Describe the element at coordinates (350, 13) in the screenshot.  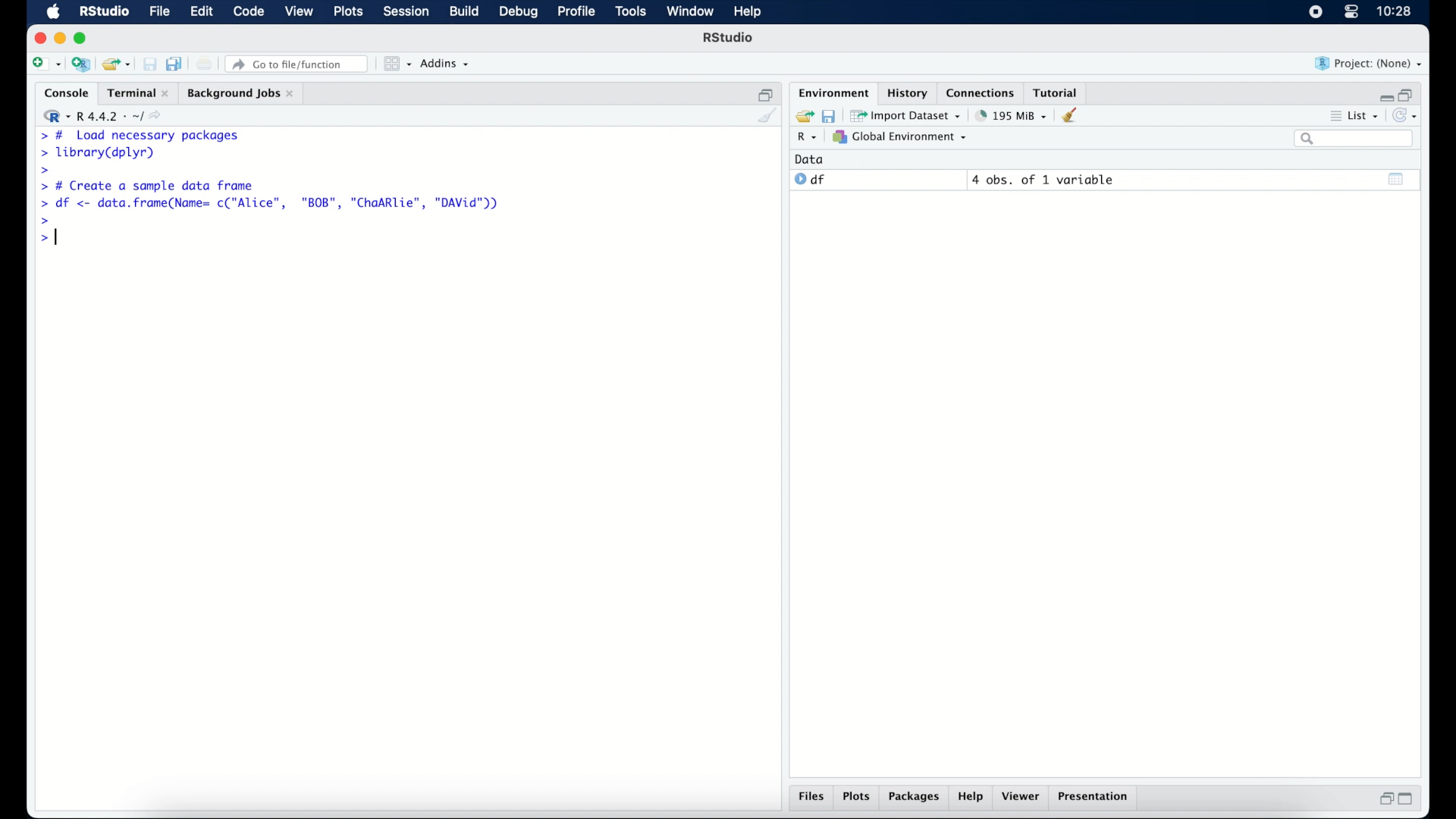
I see `plots` at that location.